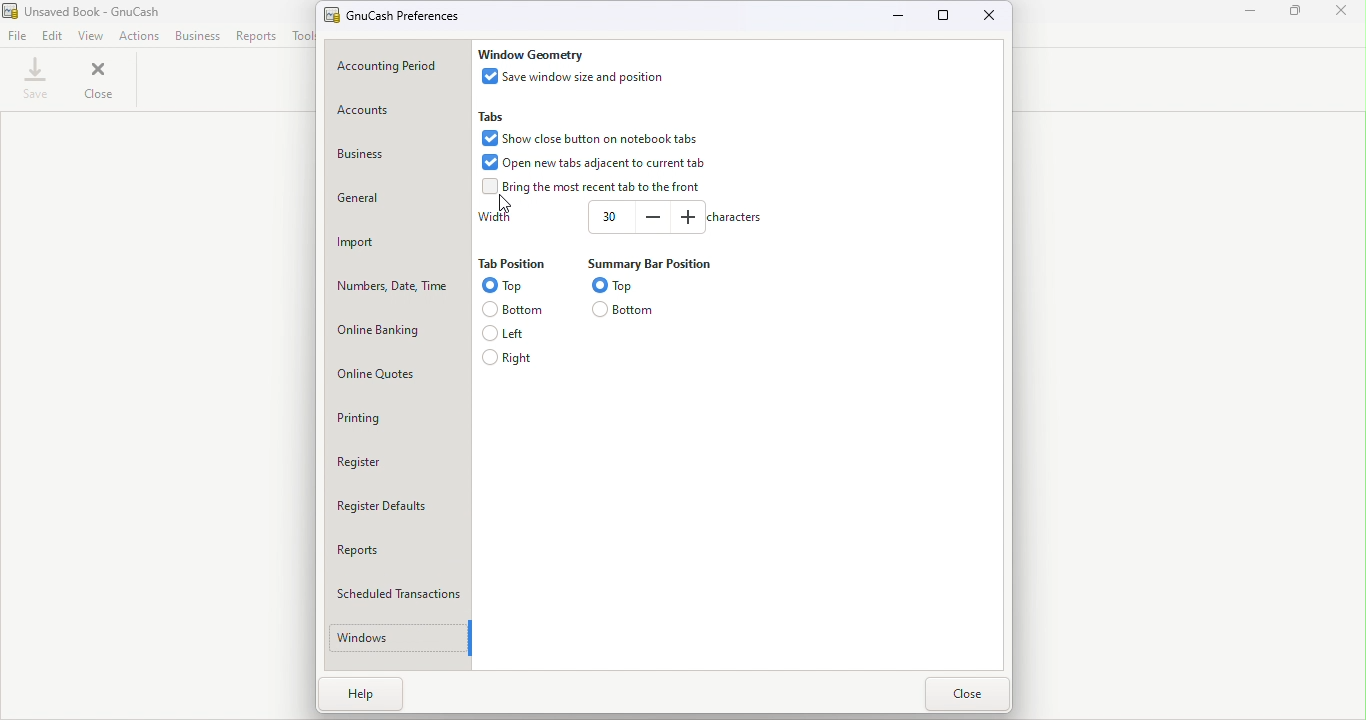  I want to click on Show close button on notebook tab, so click(587, 136).